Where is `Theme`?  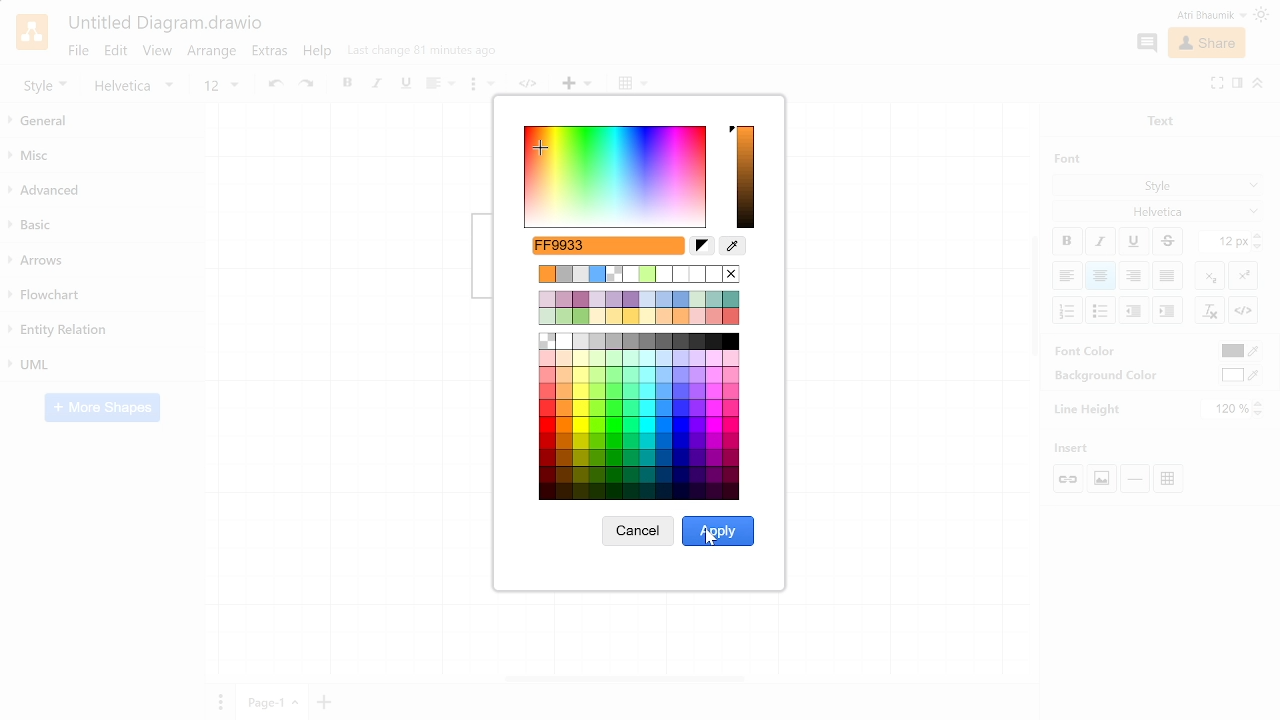 Theme is located at coordinates (1264, 15).